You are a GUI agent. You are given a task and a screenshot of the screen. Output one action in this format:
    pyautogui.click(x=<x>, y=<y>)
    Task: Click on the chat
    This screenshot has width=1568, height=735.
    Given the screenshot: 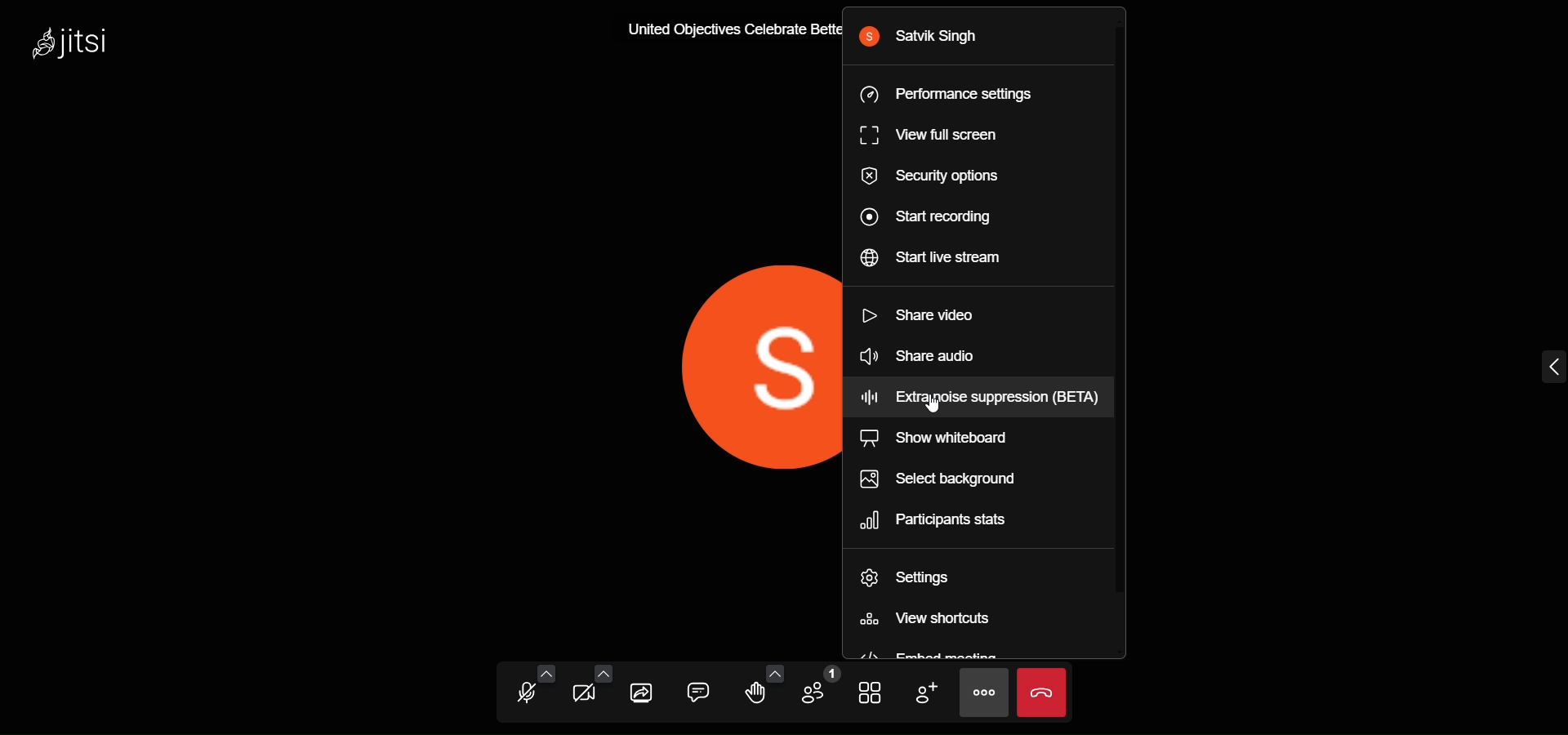 What is the action you would take?
    pyautogui.click(x=699, y=693)
    